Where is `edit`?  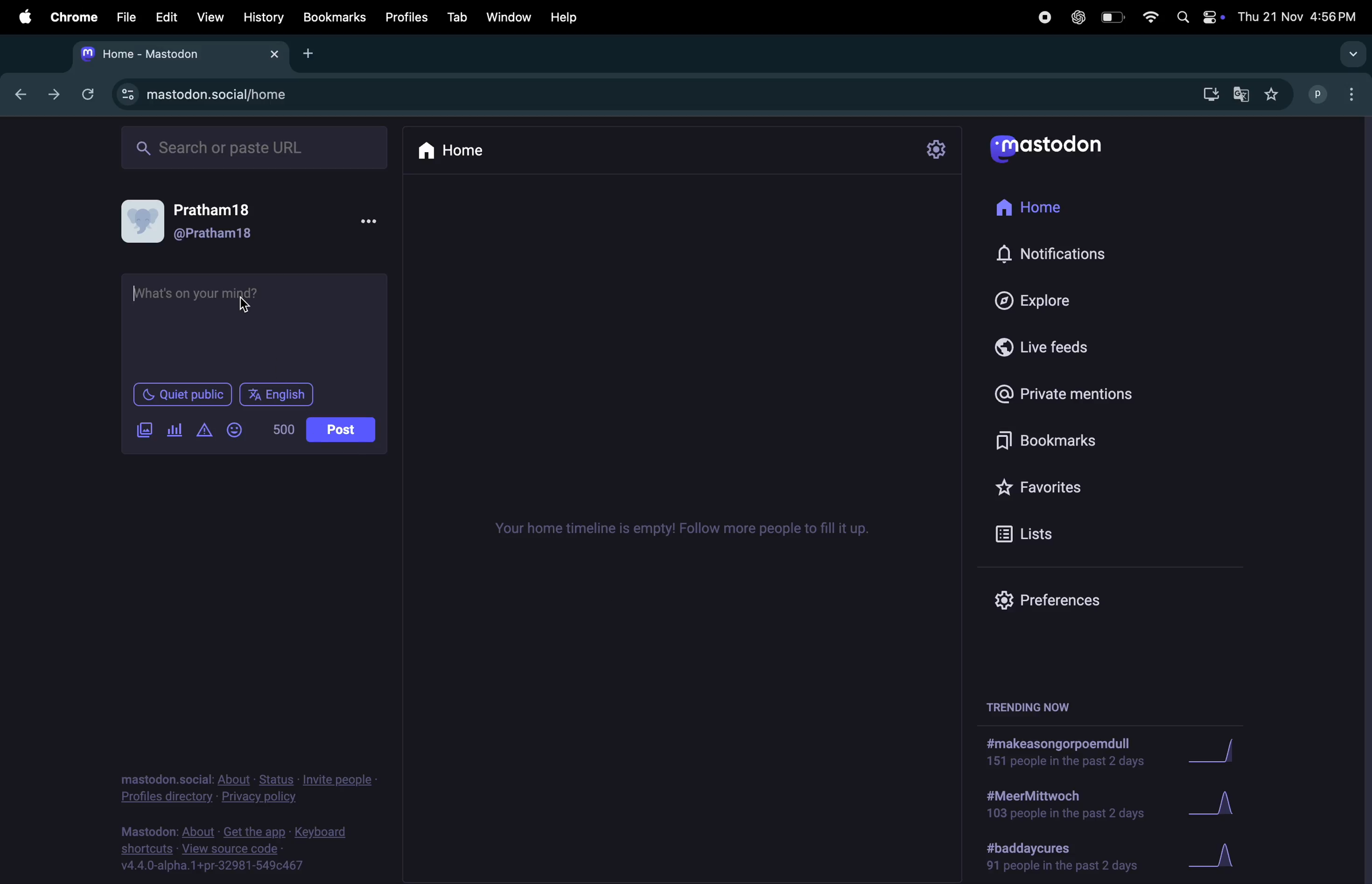
edit is located at coordinates (163, 17).